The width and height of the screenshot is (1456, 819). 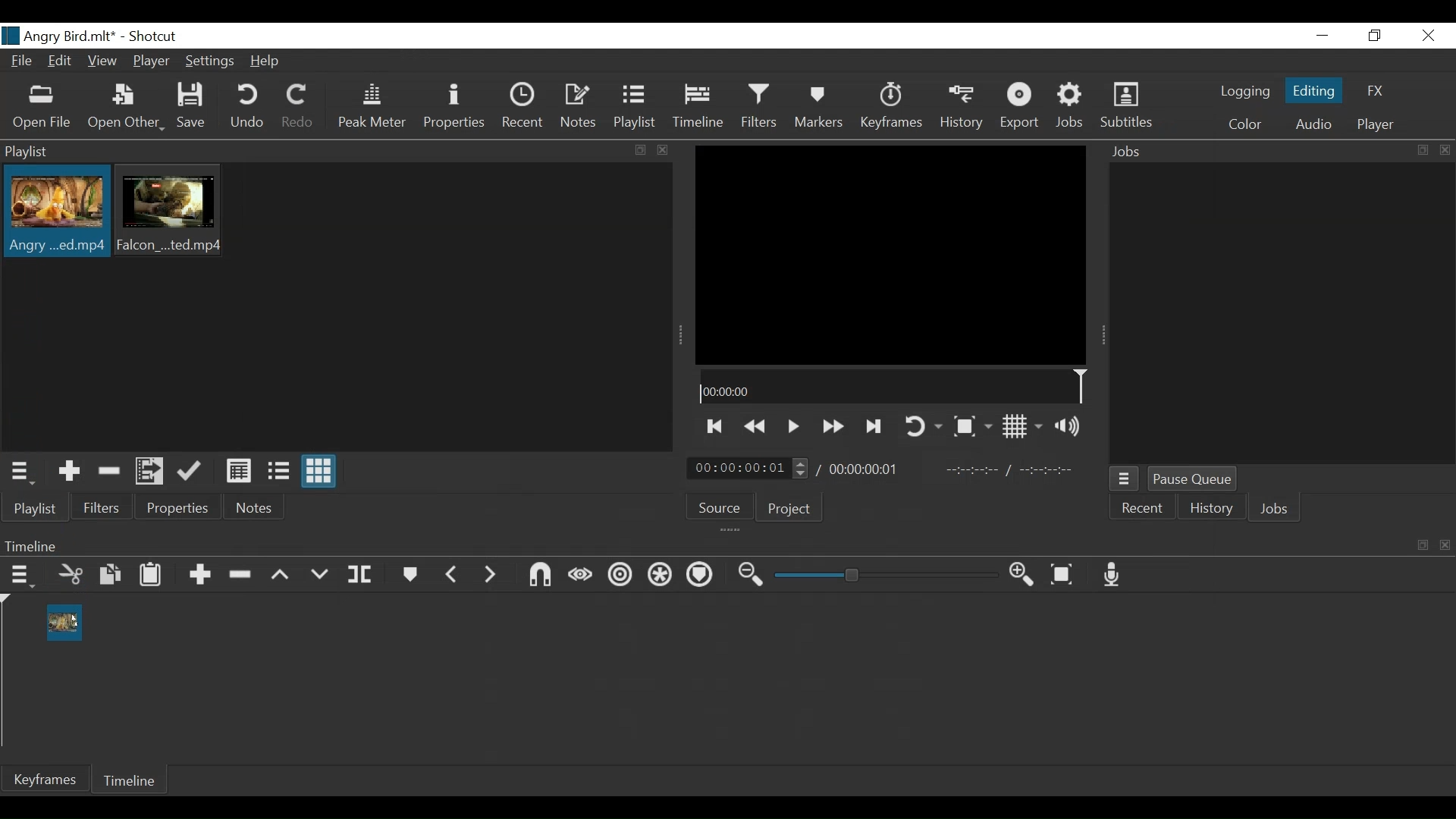 What do you see at coordinates (491, 576) in the screenshot?
I see `Next Marker` at bounding box center [491, 576].